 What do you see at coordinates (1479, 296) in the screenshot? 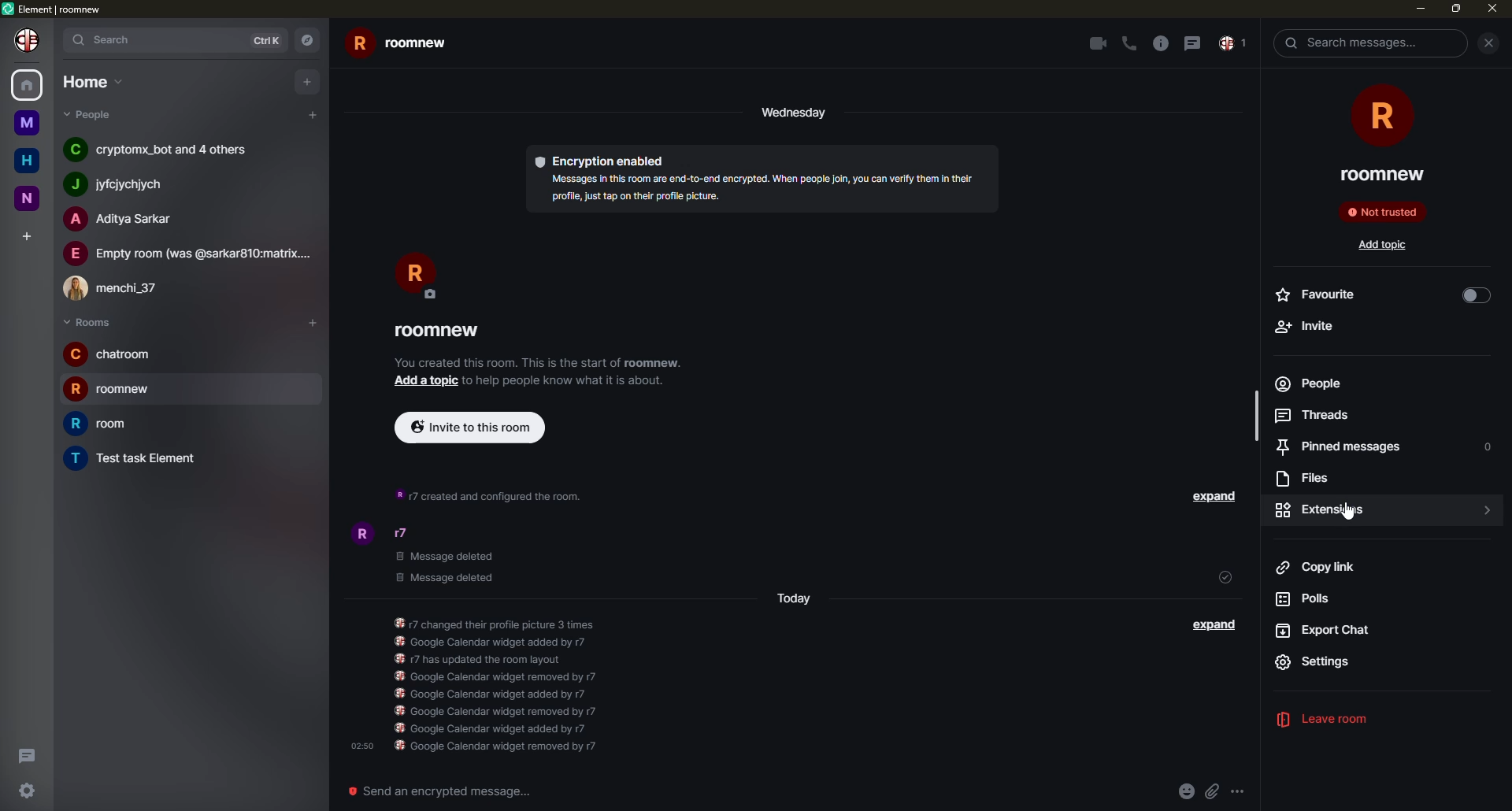
I see `toggle on/off` at bounding box center [1479, 296].